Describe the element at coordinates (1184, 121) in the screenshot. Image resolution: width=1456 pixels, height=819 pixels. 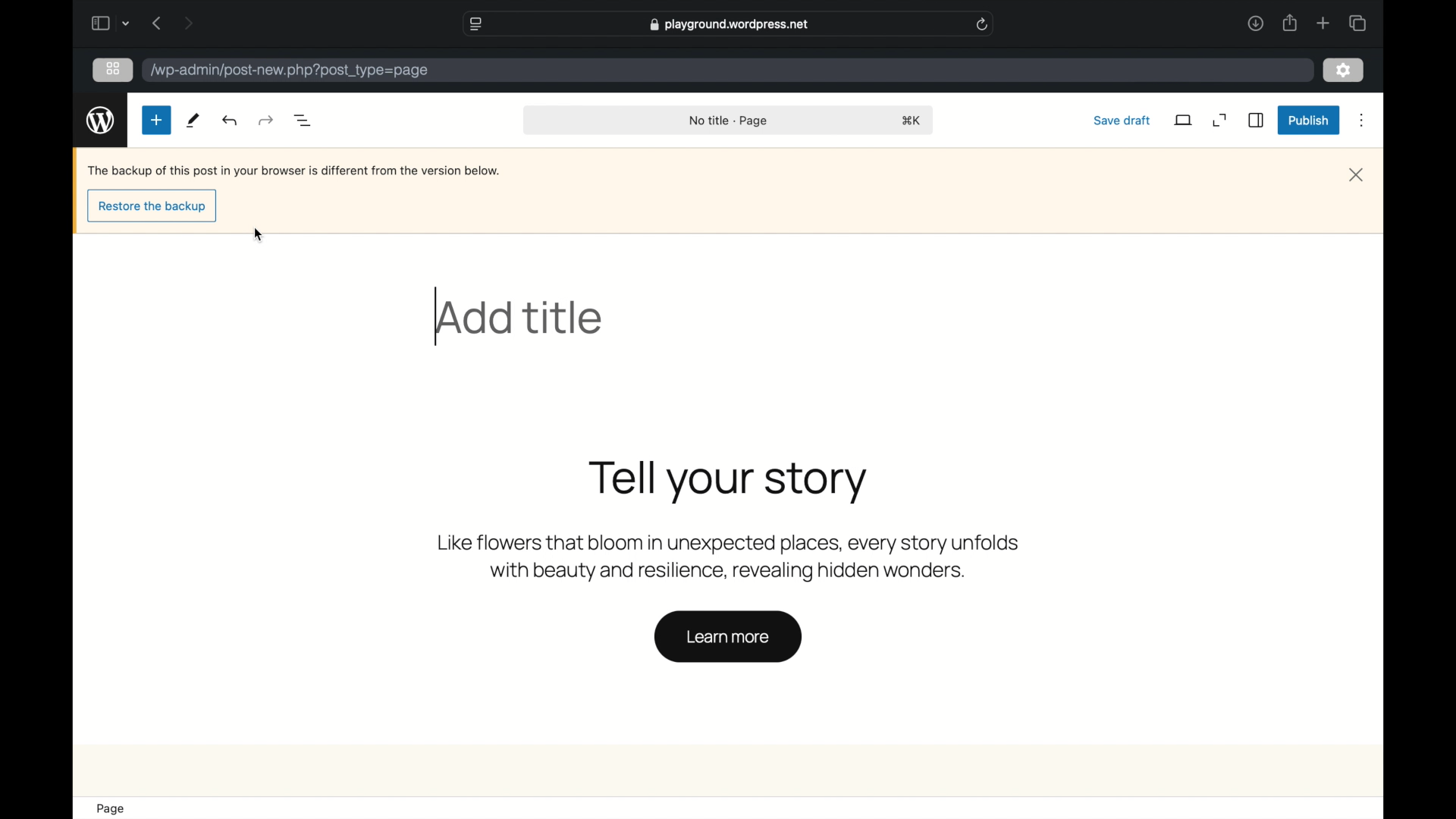
I see `view` at that location.